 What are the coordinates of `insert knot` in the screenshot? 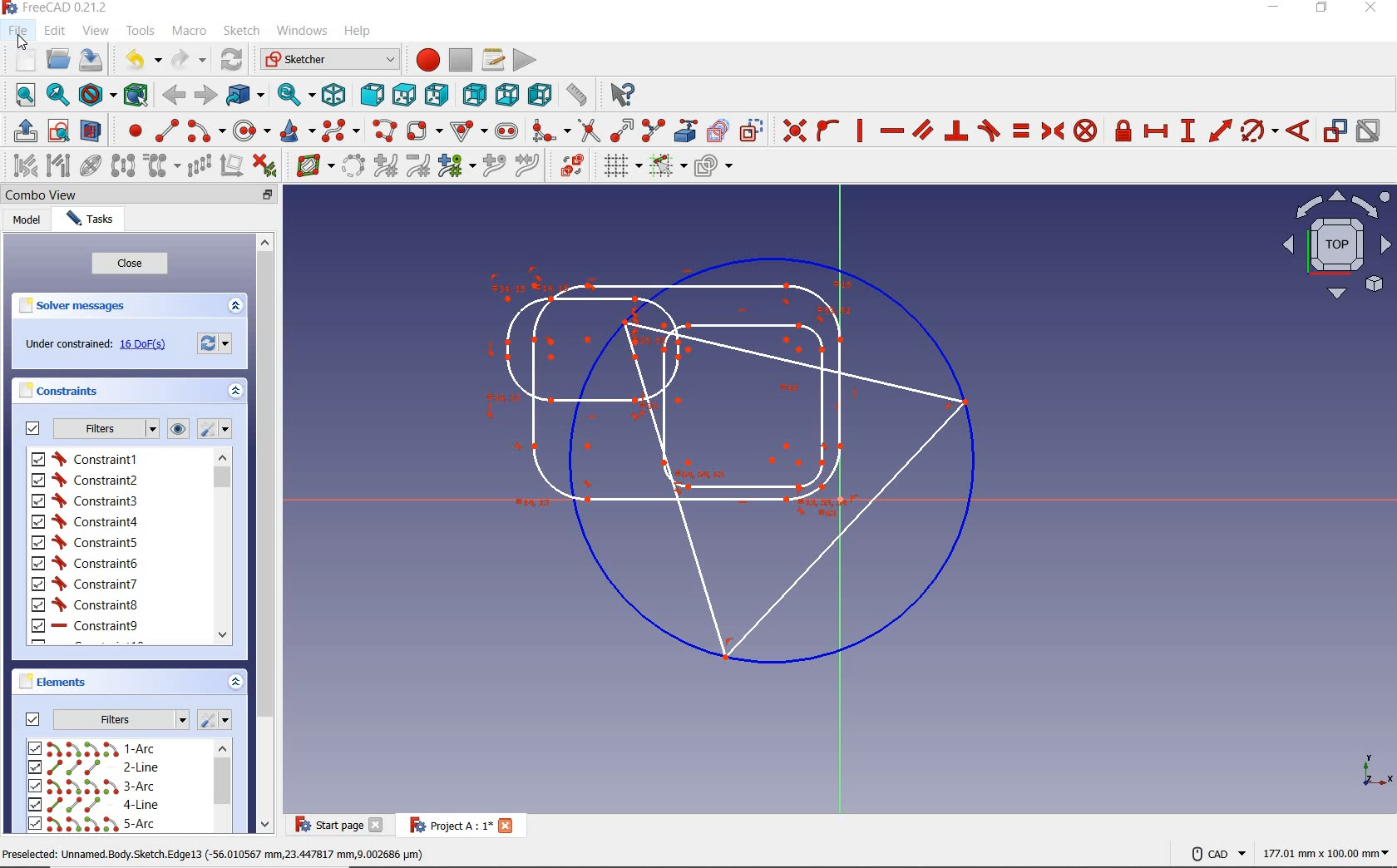 It's located at (493, 165).